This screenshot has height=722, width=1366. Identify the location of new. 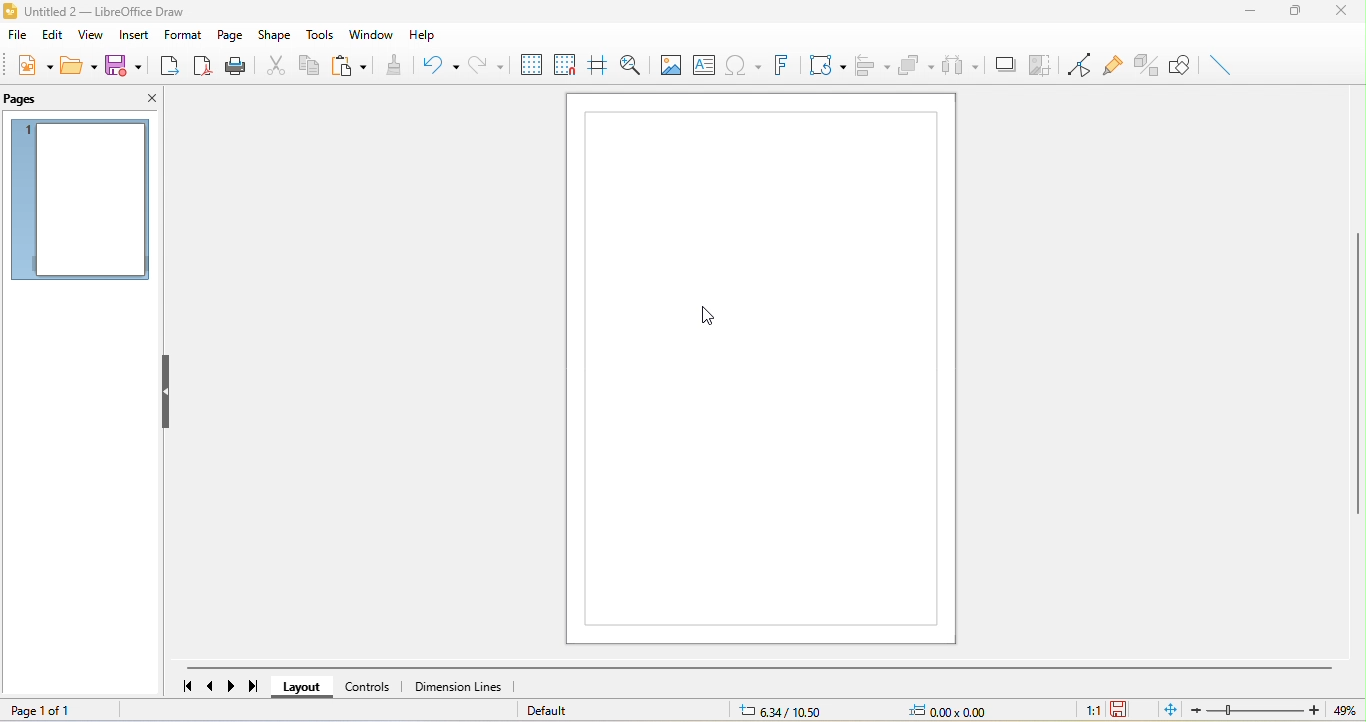
(28, 69).